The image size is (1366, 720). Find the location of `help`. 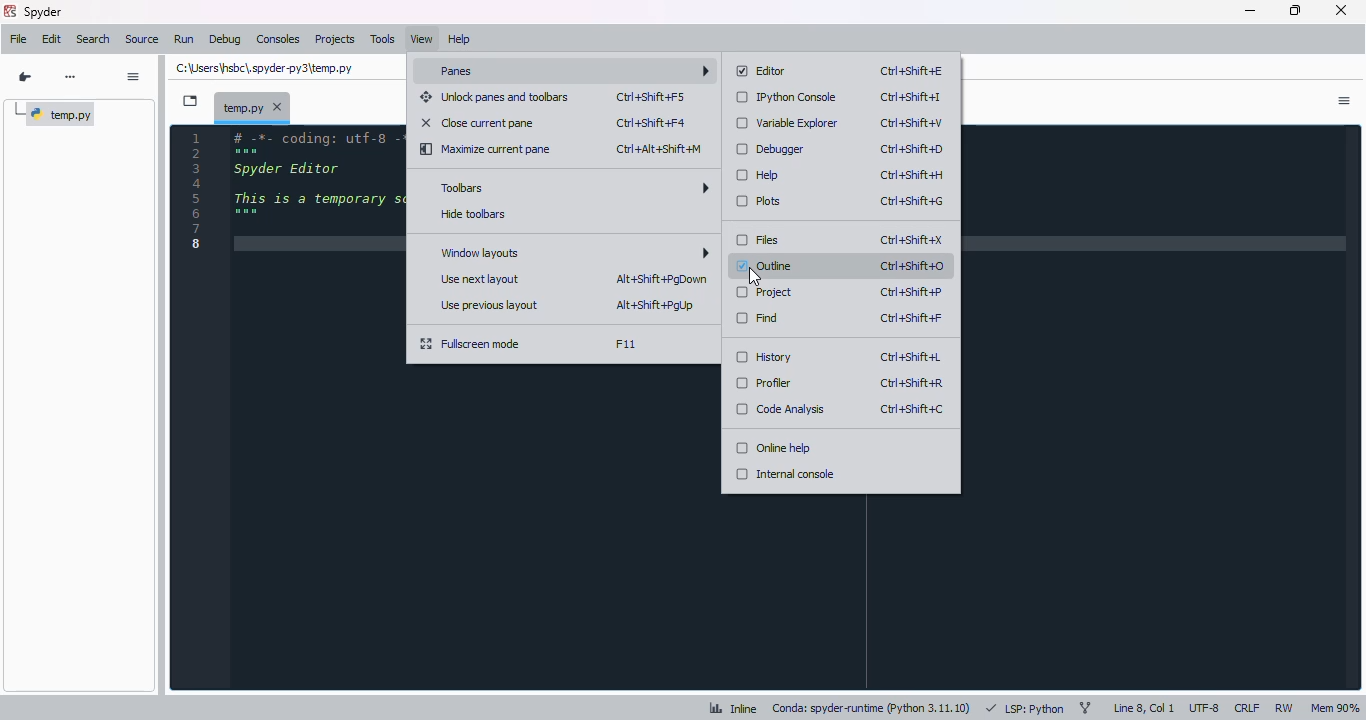

help is located at coordinates (757, 175).